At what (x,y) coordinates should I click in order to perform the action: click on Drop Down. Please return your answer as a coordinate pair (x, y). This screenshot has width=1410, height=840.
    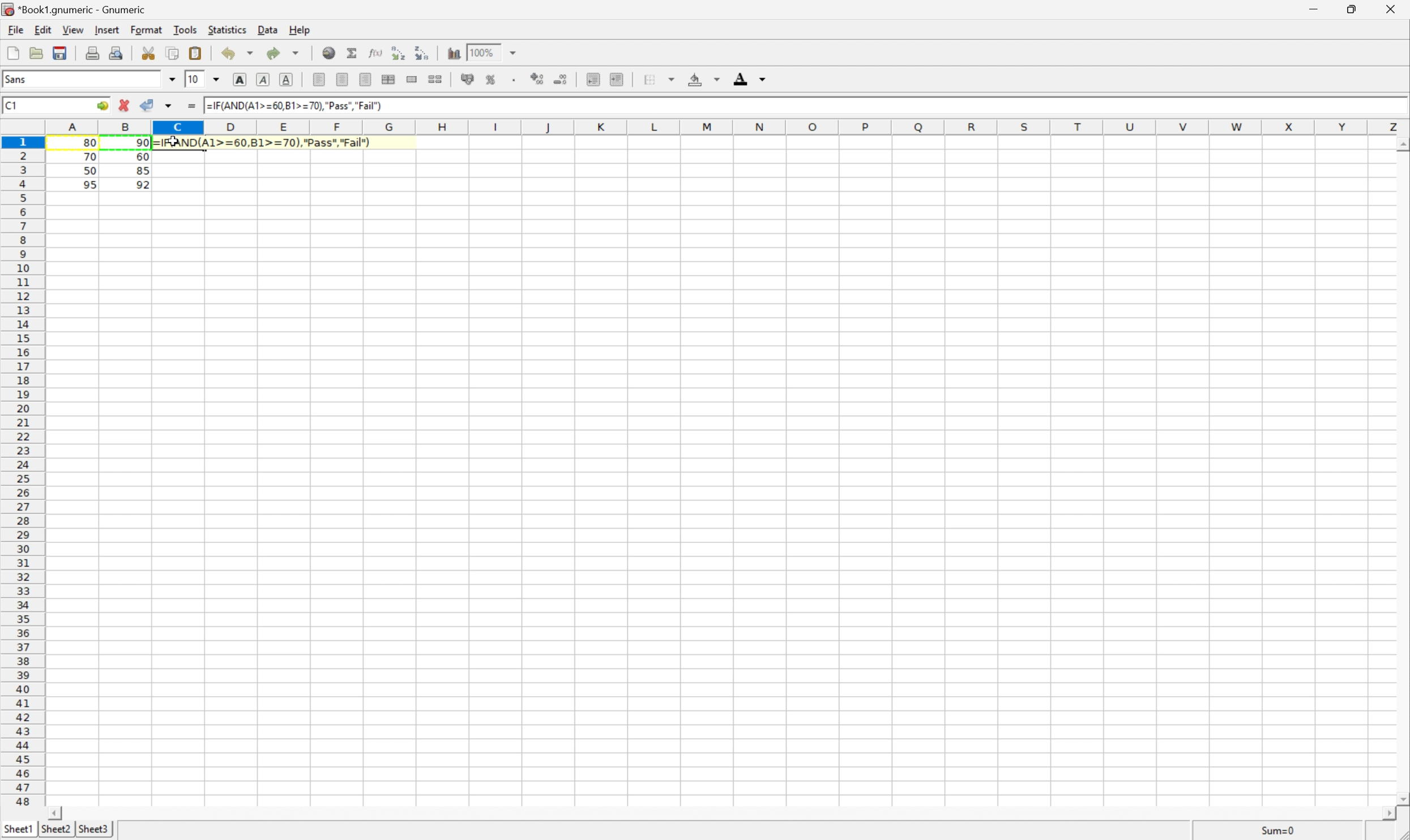
    Looking at the image, I should click on (296, 50).